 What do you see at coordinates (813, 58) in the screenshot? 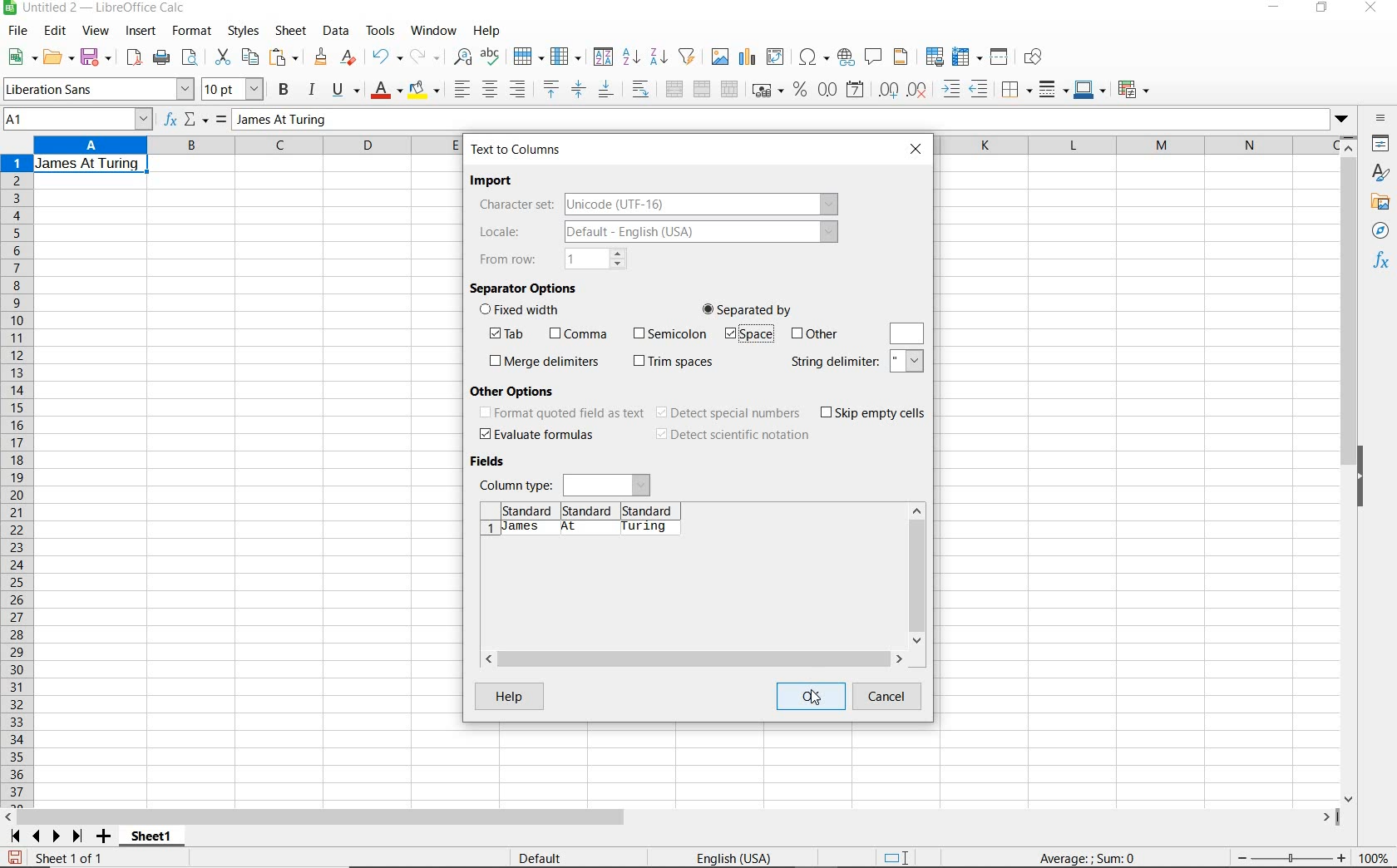
I see `insert special characters` at bounding box center [813, 58].